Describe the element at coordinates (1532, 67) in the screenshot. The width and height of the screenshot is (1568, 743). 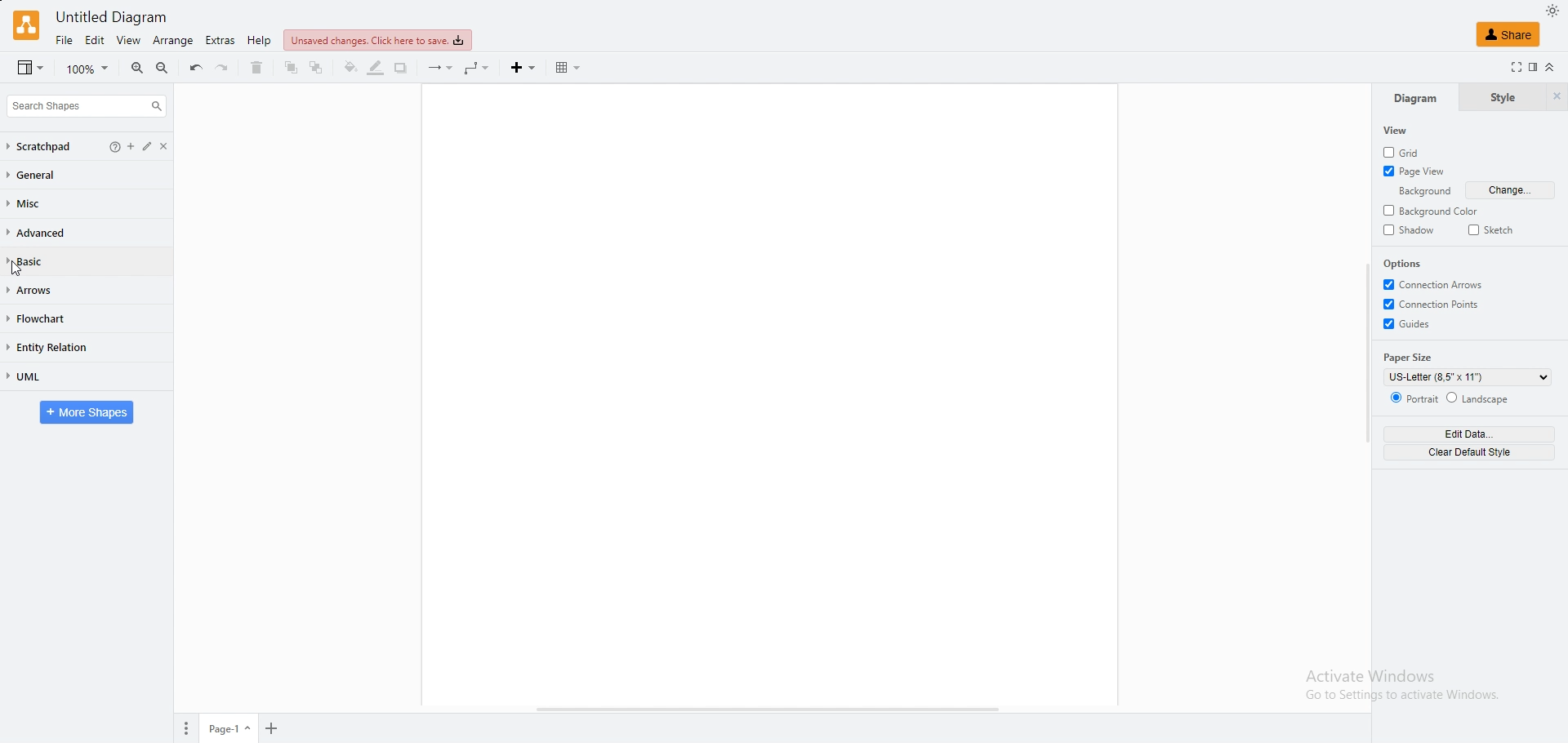
I see `format` at that location.